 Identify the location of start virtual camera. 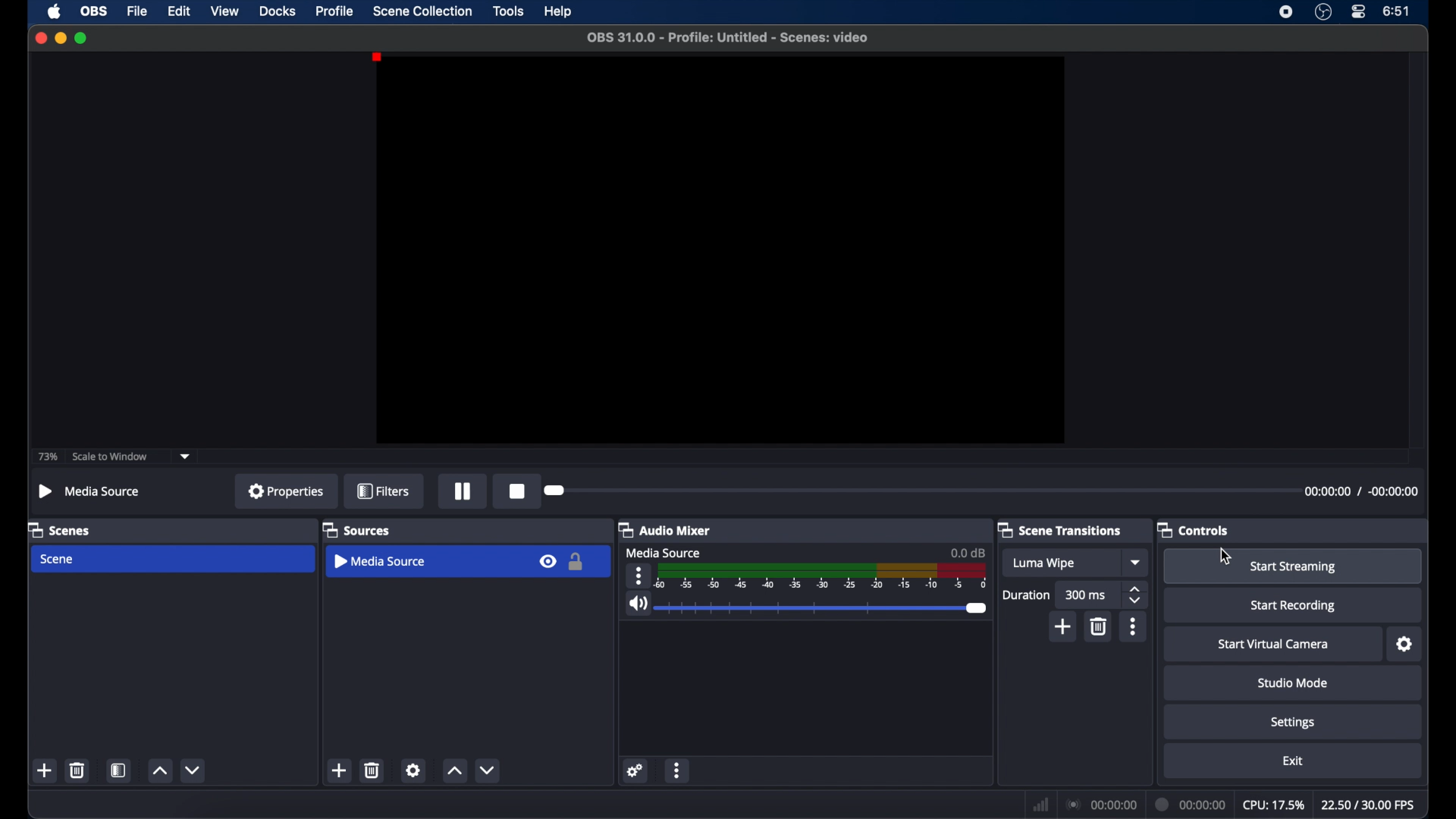
(1274, 645).